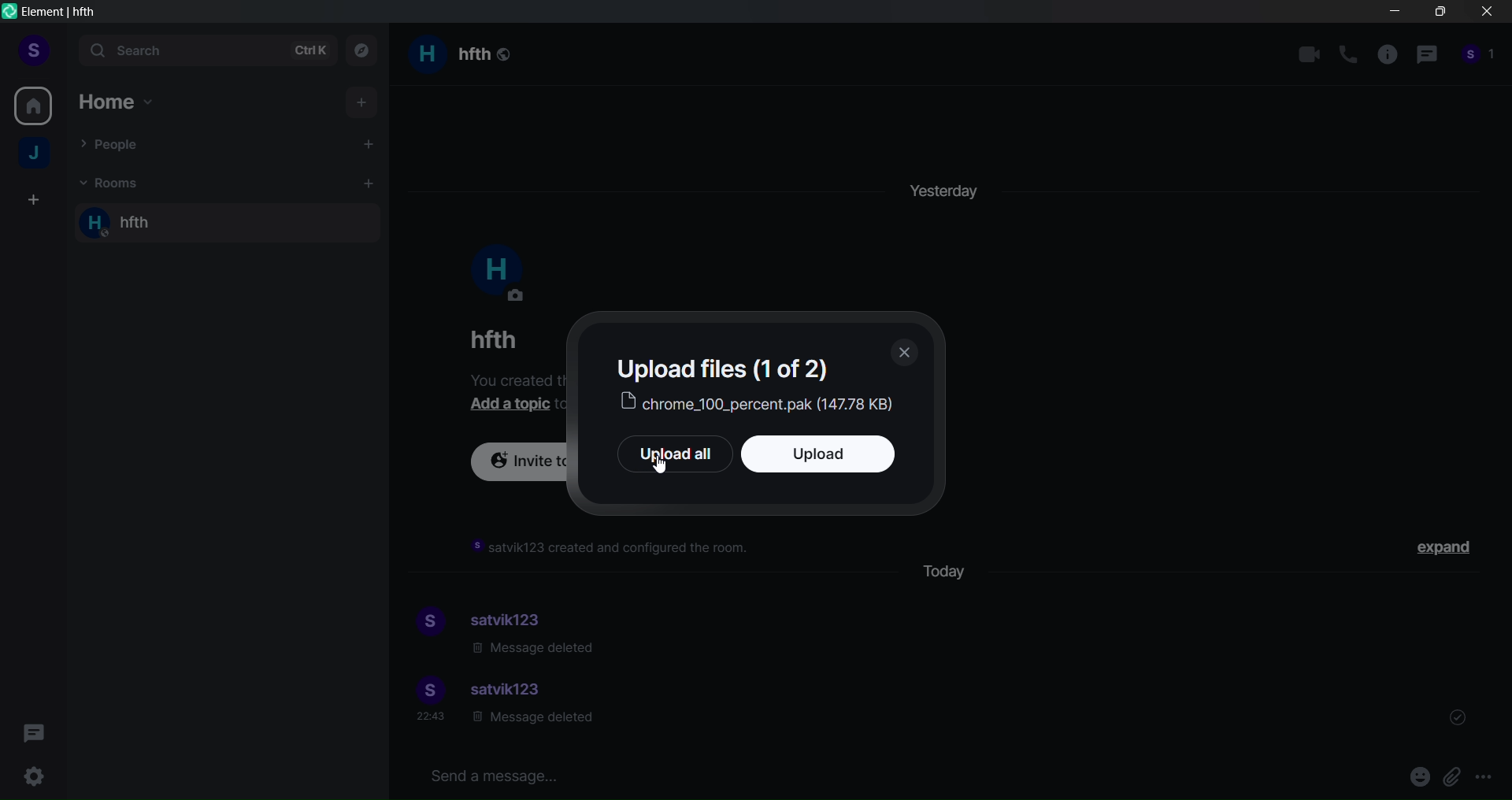 Image resolution: width=1512 pixels, height=800 pixels. Describe the element at coordinates (506, 52) in the screenshot. I see `public room` at that location.